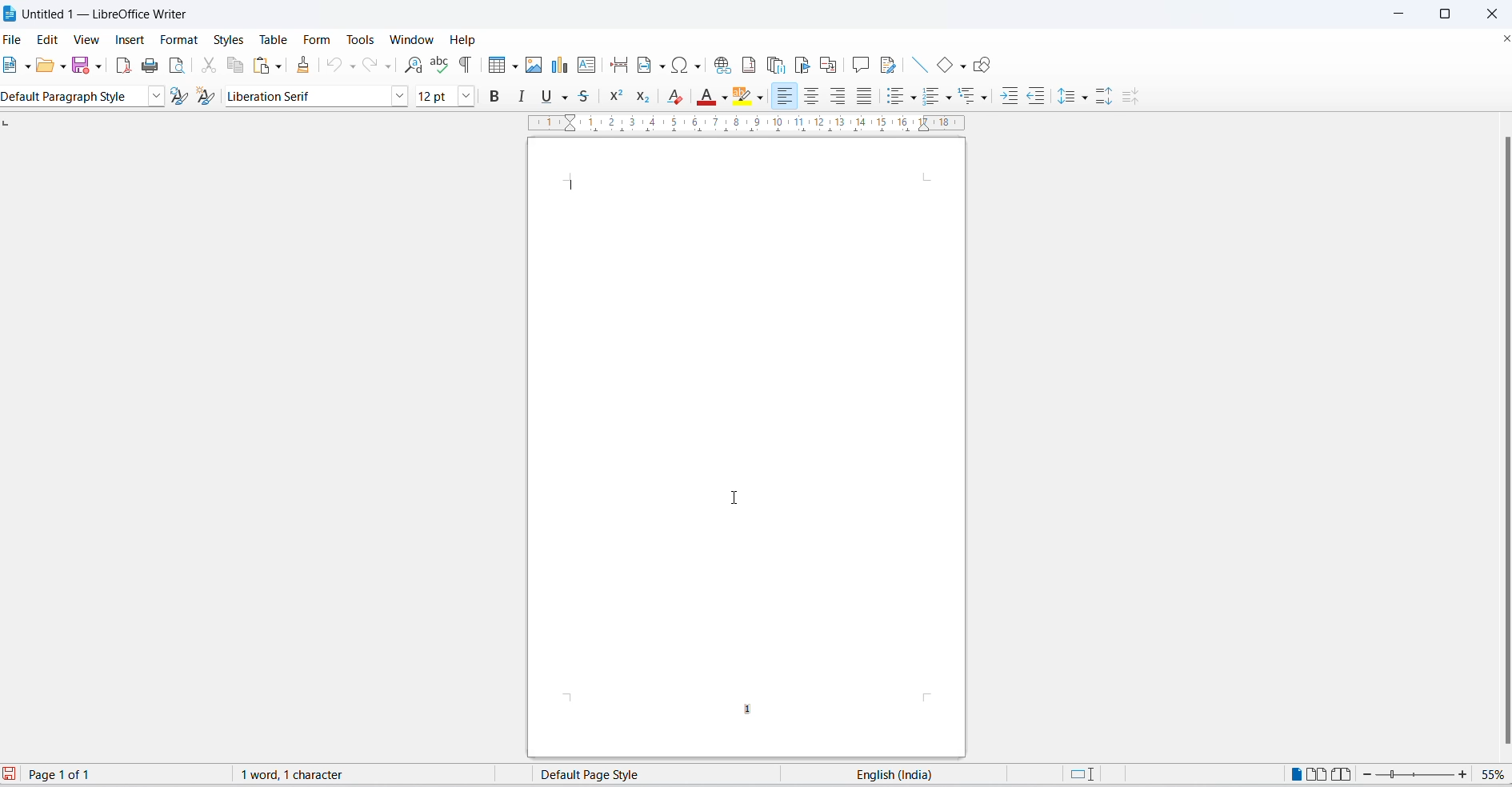 Image resolution: width=1512 pixels, height=787 pixels. What do you see at coordinates (534, 66) in the screenshot?
I see `insert images` at bounding box center [534, 66].